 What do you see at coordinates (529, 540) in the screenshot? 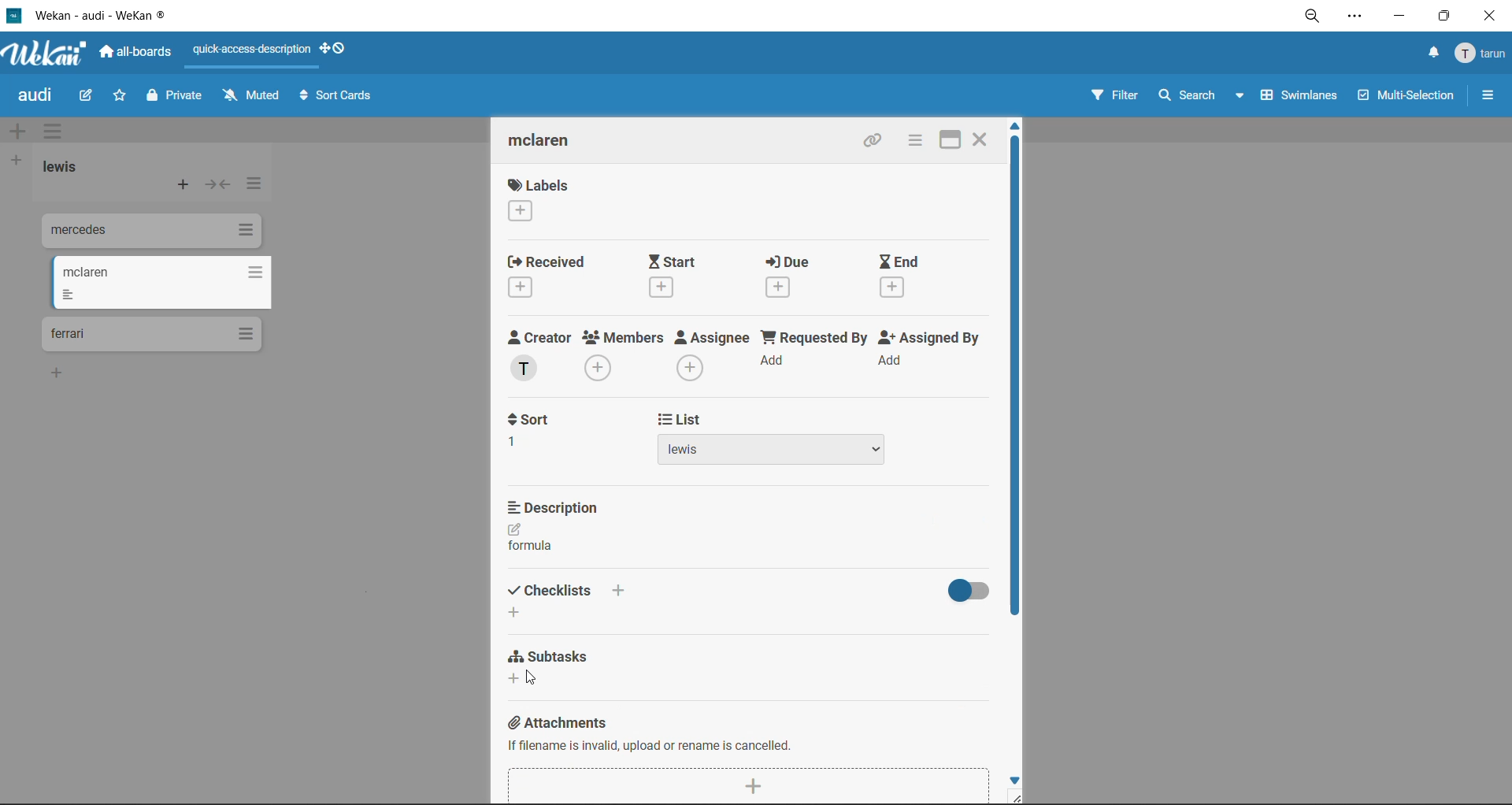
I see `updated description` at bounding box center [529, 540].